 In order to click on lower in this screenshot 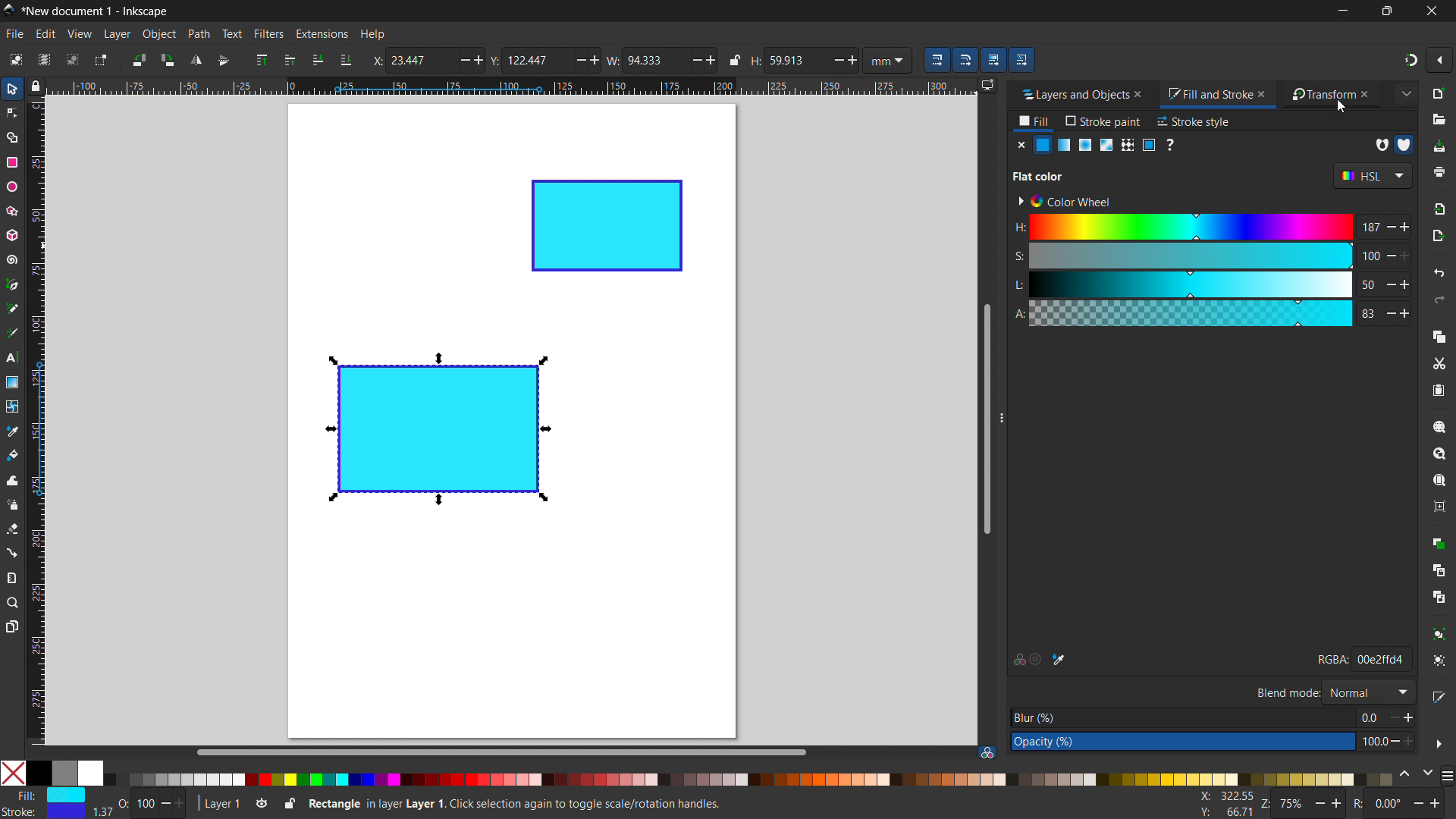, I will do `click(318, 59)`.